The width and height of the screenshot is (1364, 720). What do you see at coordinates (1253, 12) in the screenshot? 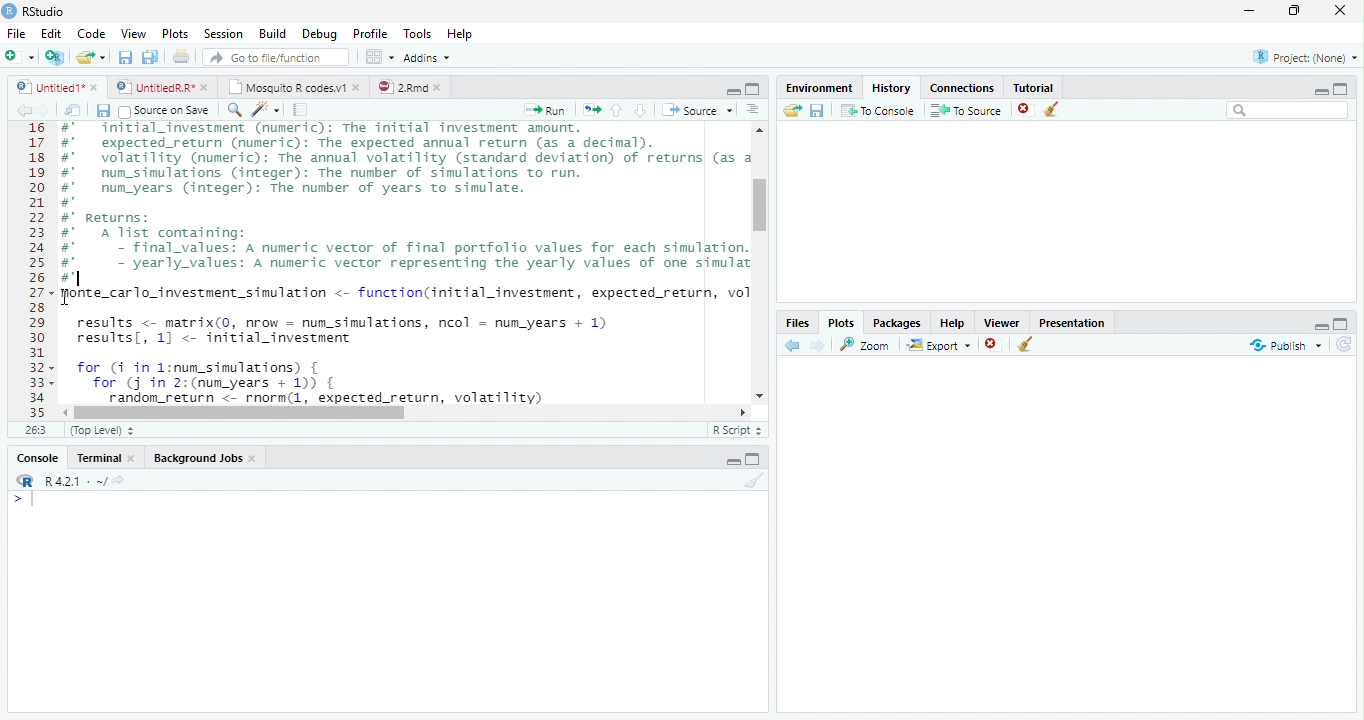
I see `Minimize` at bounding box center [1253, 12].